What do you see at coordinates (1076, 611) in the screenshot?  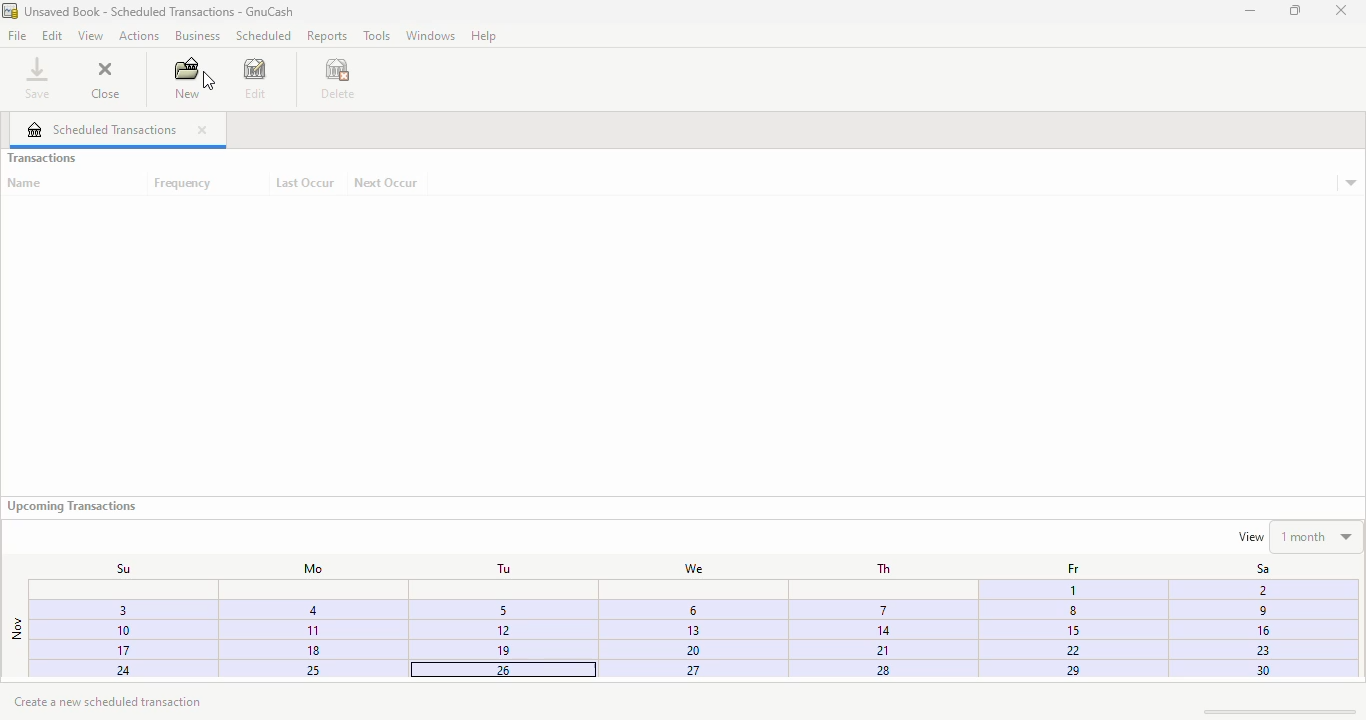 I see `` at bounding box center [1076, 611].